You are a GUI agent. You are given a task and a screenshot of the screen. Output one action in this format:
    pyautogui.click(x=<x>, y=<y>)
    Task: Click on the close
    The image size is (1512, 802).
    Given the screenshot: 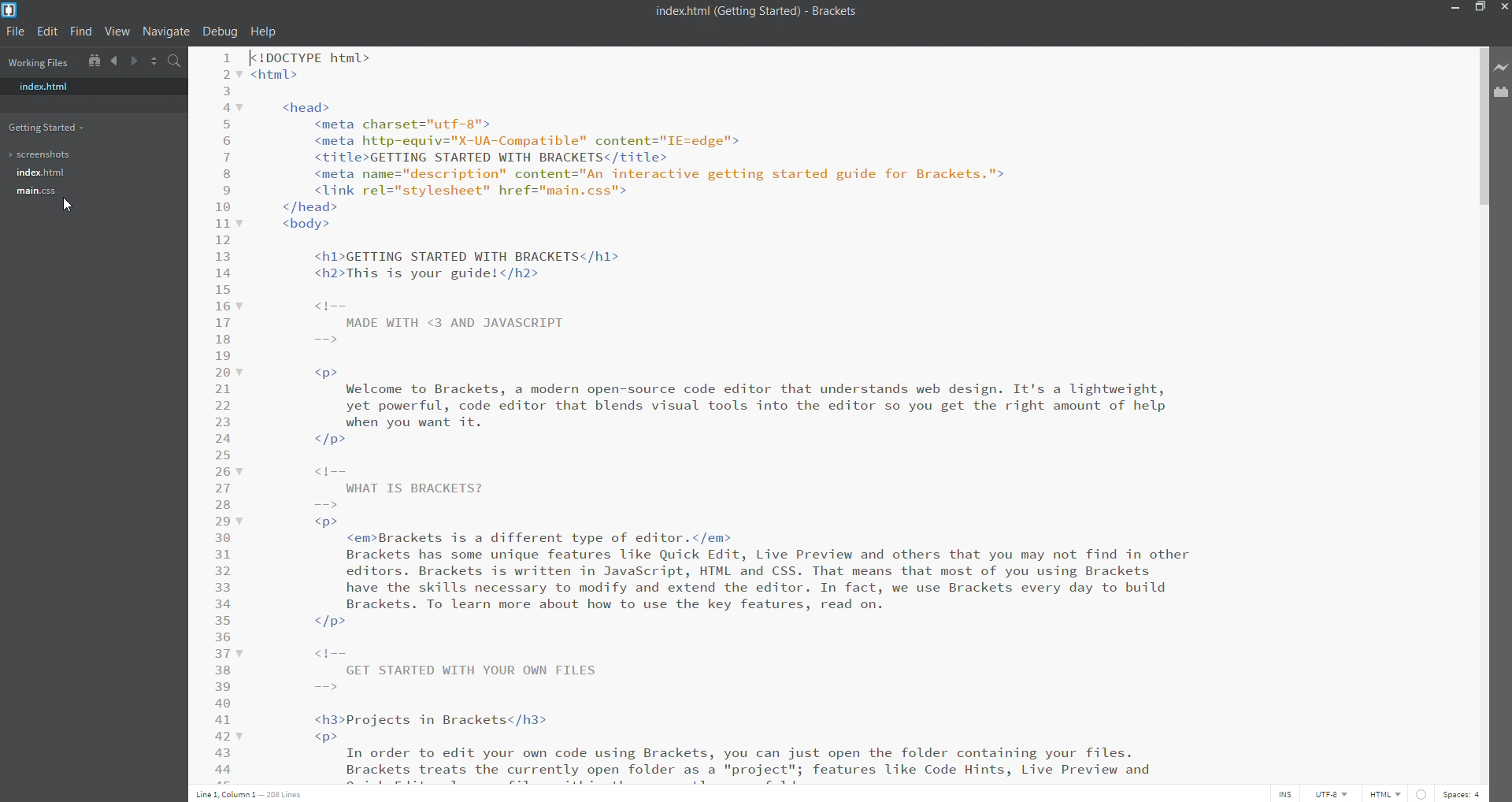 What is the action you would take?
    pyautogui.click(x=1503, y=8)
    